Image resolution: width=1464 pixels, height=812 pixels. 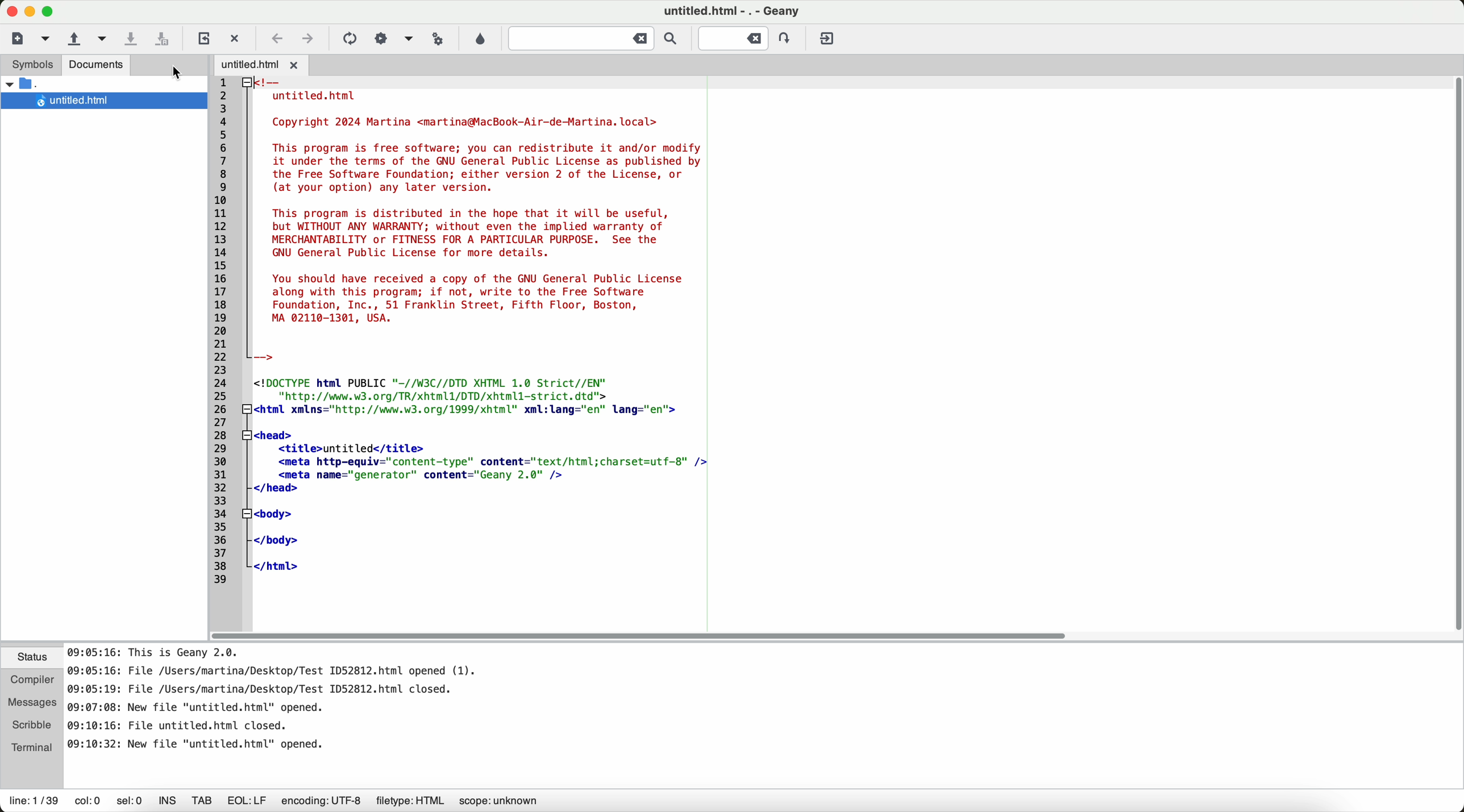 I want to click on open an existing file, so click(x=73, y=38).